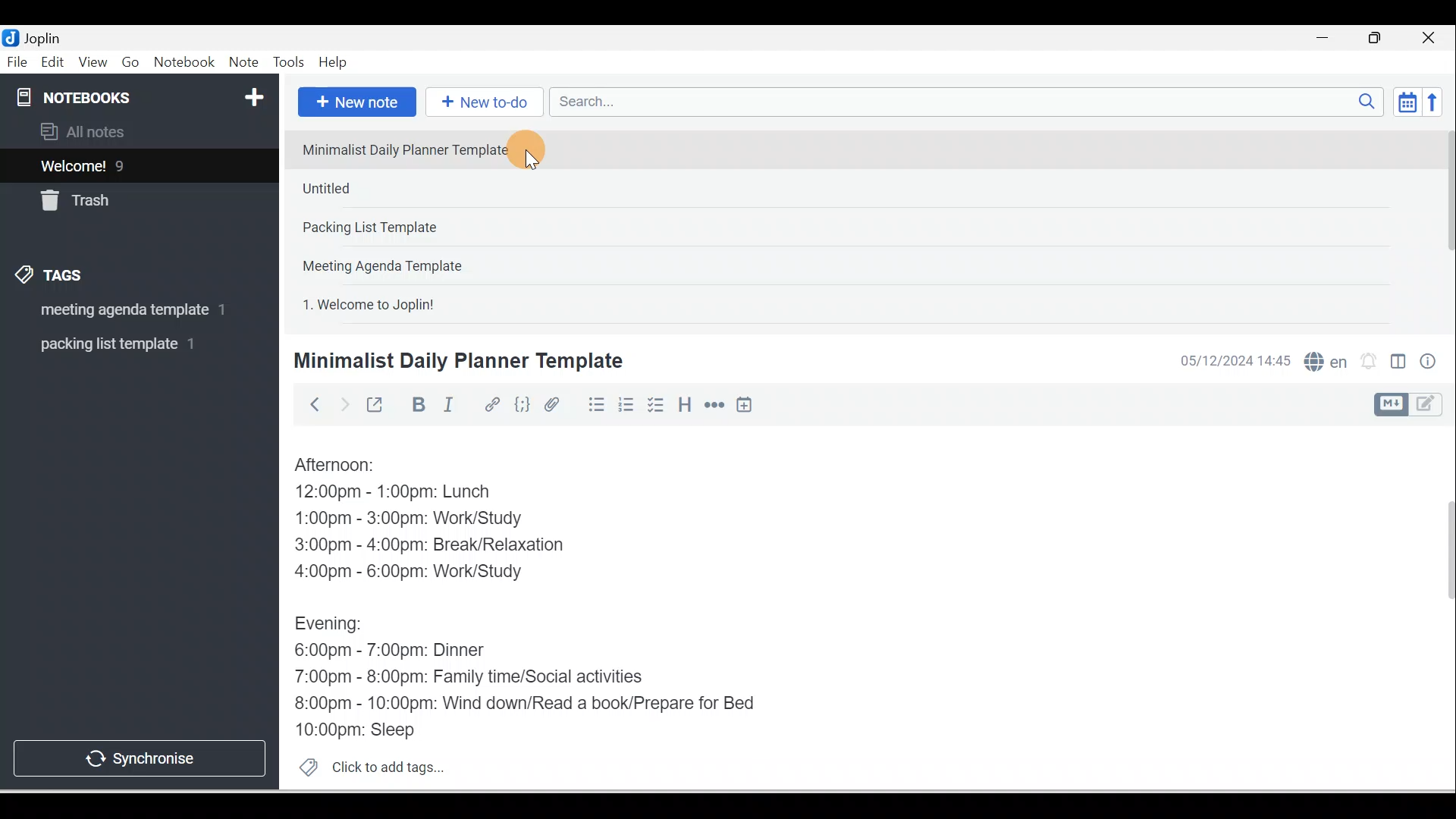  Describe the element at coordinates (462, 547) in the screenshot. I see `3:00pm - 4:00pm: Break/Relaxation` at that location.